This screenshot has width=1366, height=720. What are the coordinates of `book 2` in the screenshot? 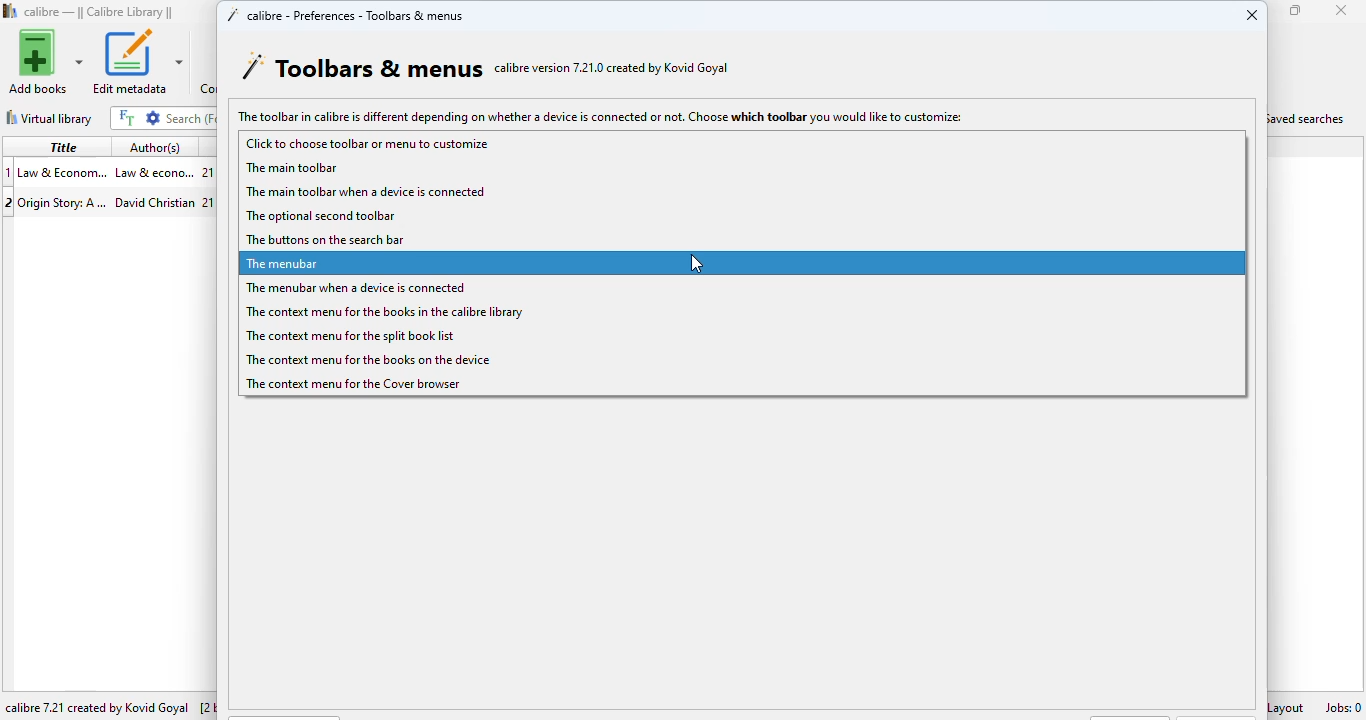 It's located at (107, 200).